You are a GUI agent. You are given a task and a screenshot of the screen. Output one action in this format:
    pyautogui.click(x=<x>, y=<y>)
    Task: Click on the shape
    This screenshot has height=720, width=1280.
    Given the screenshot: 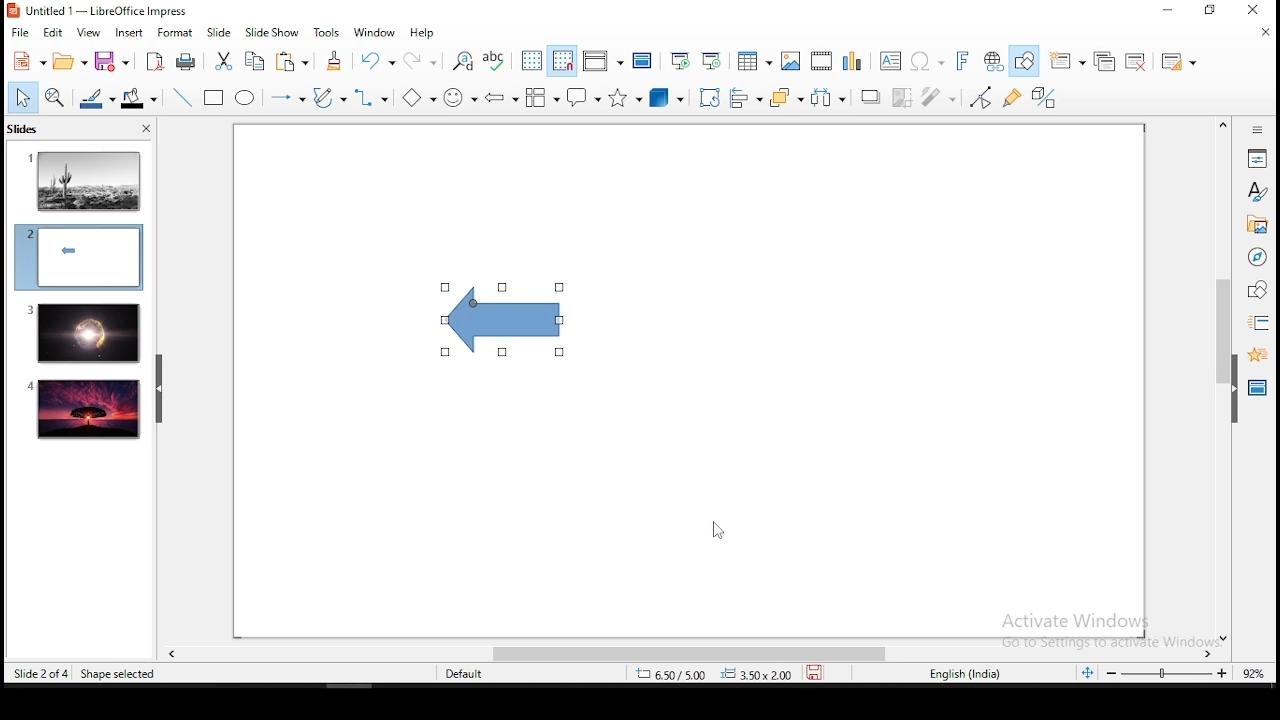 What is the action you would take?
    pyautogui.click(x=502, y=321)
    